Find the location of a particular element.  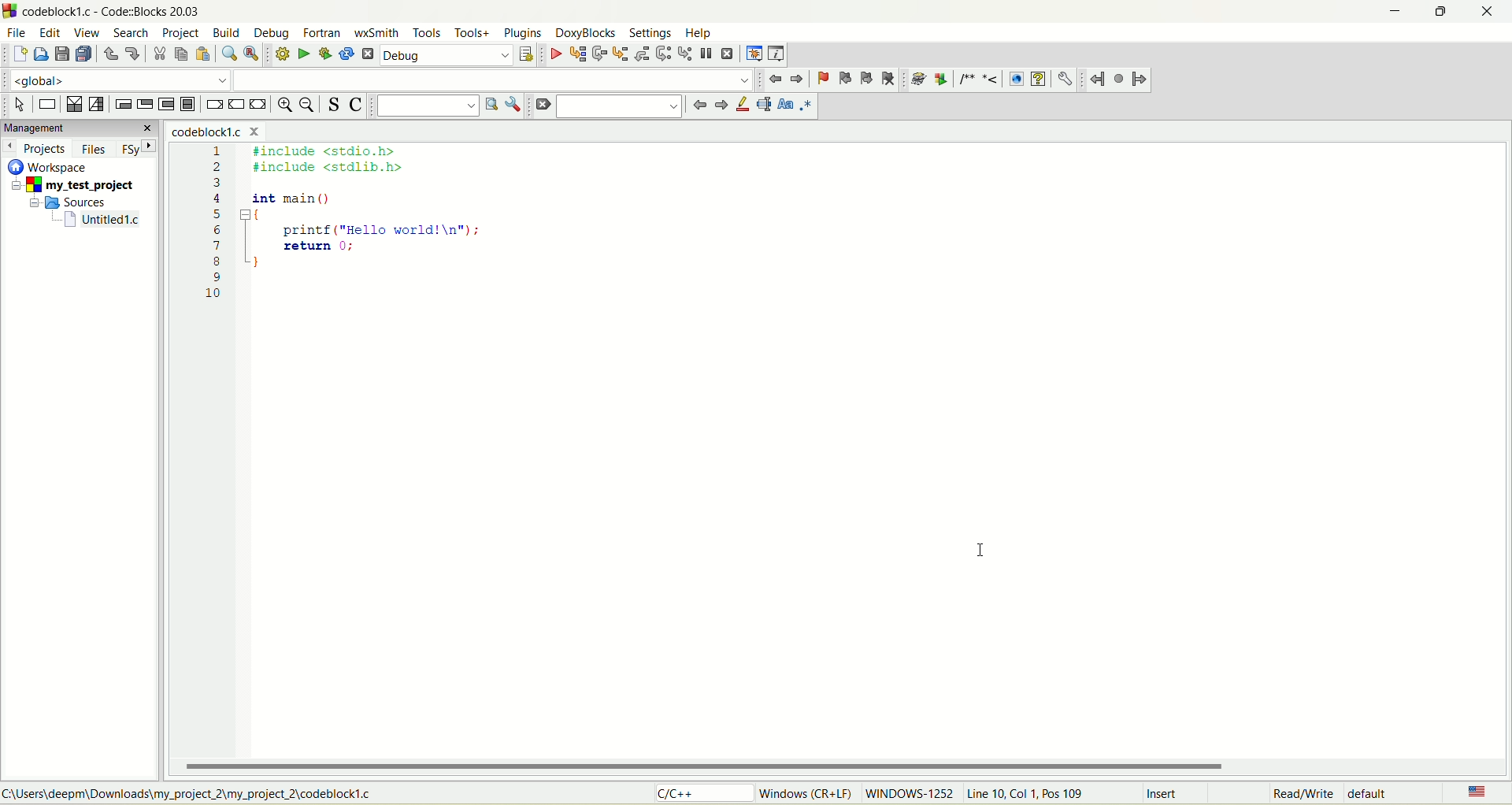

last jump is located at coordinates (1120, 79).